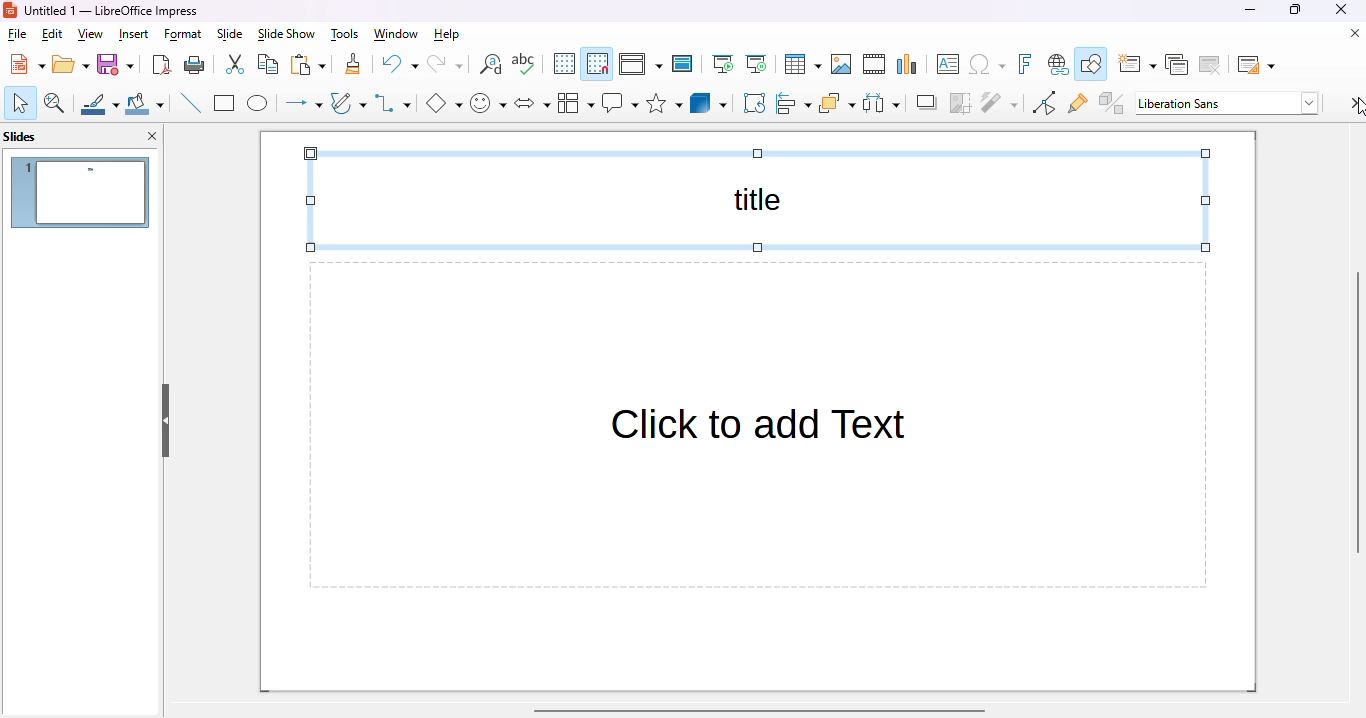 Image resolution: width=1366 pixels, height=718 pixels. I want to click on toggle point edit mode, so click(1045, 102).